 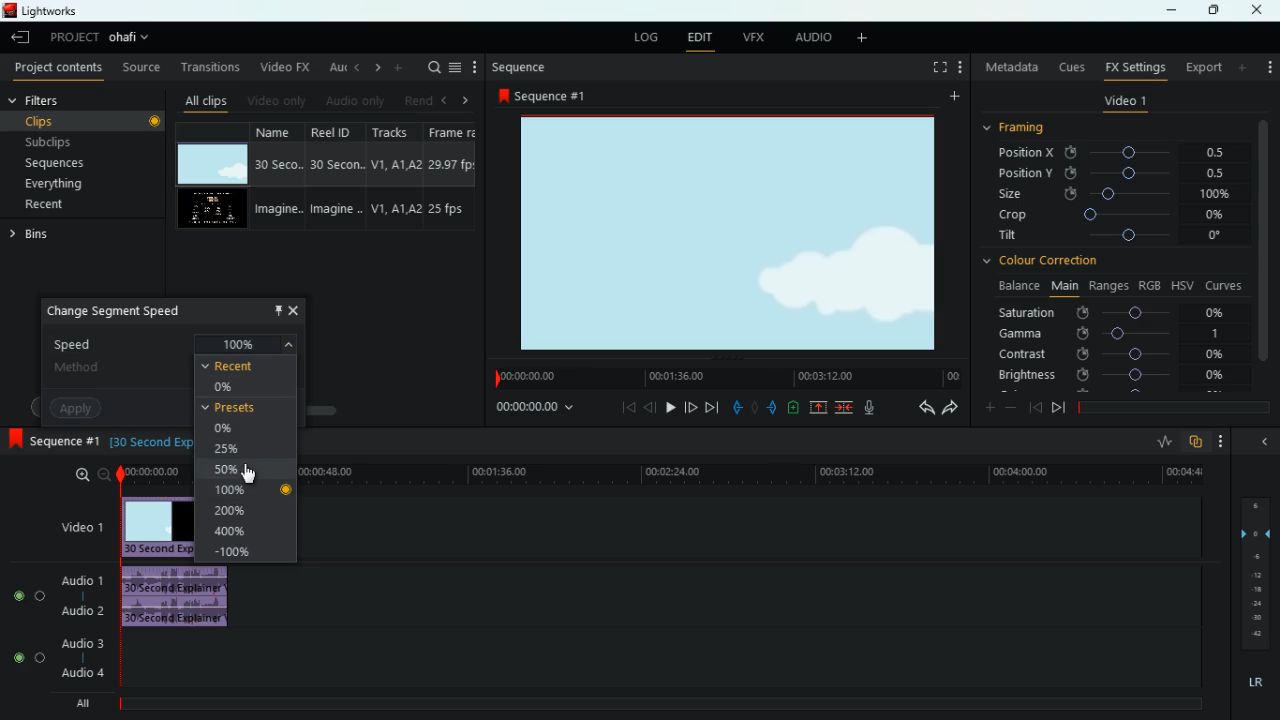 What do you see at coordinates (275, 99) in the screenshot?
I see `video only` at bounding box center [275, 99].